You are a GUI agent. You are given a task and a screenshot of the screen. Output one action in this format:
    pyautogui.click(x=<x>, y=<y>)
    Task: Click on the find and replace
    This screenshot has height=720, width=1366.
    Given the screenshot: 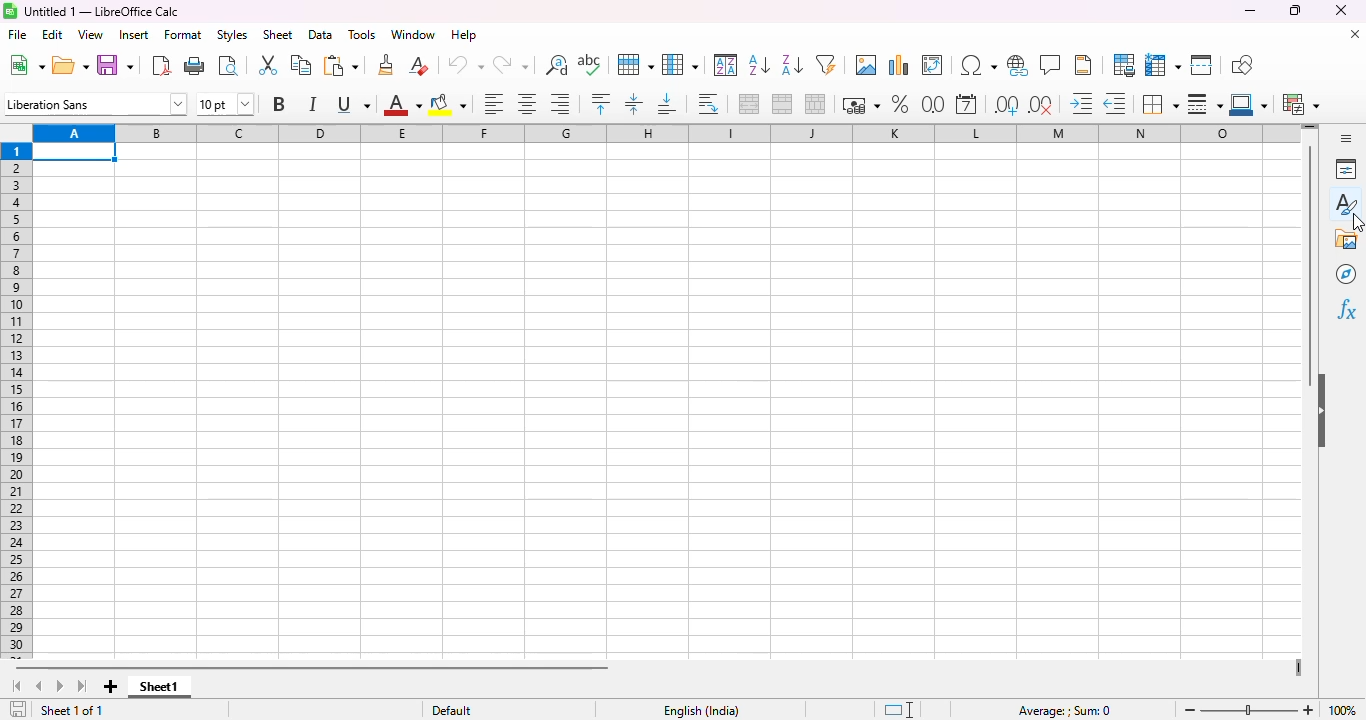 What is the action you would take?
    pyautogui.click(x=557, y=65)
    